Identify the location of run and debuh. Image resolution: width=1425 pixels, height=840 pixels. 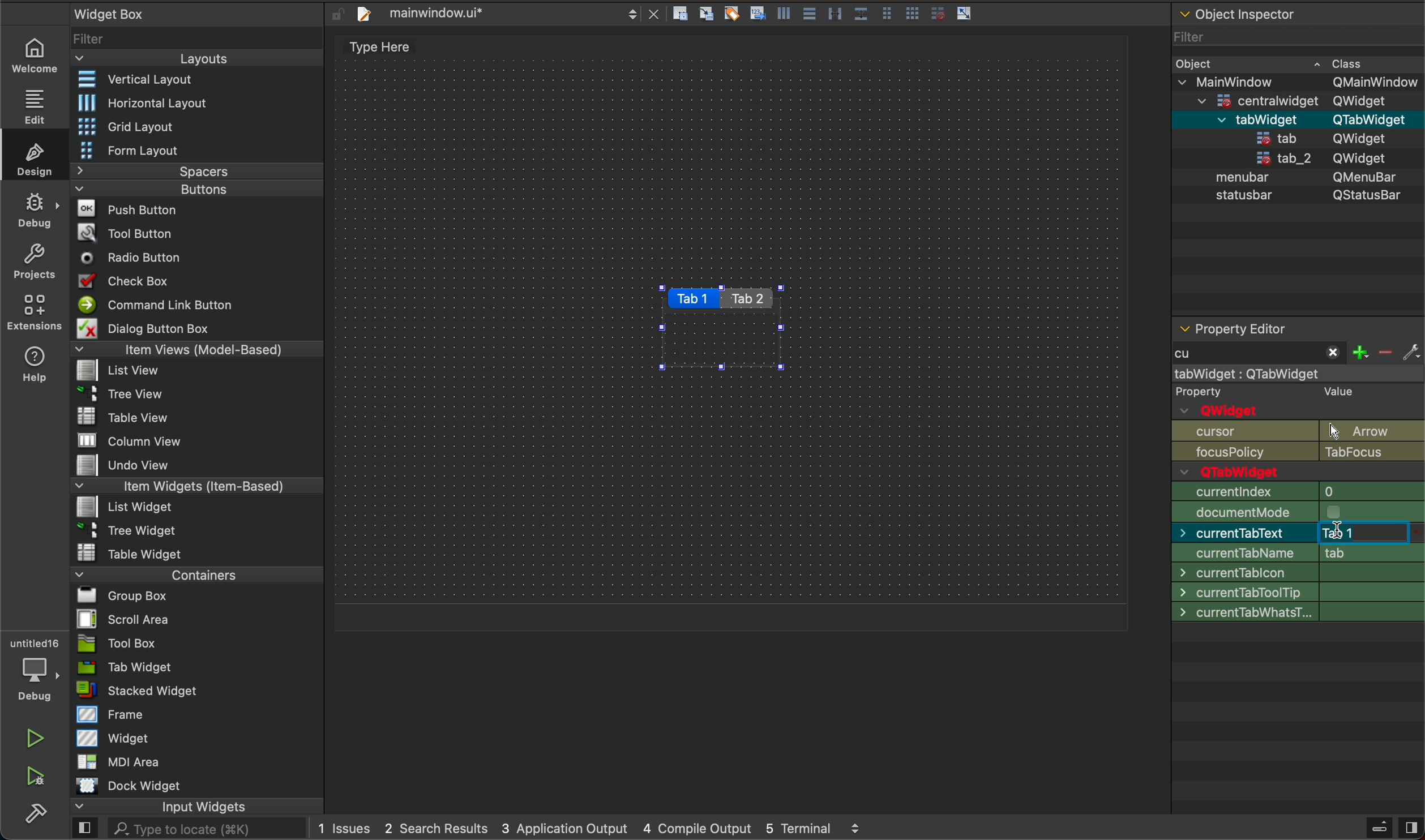
(42, 777).